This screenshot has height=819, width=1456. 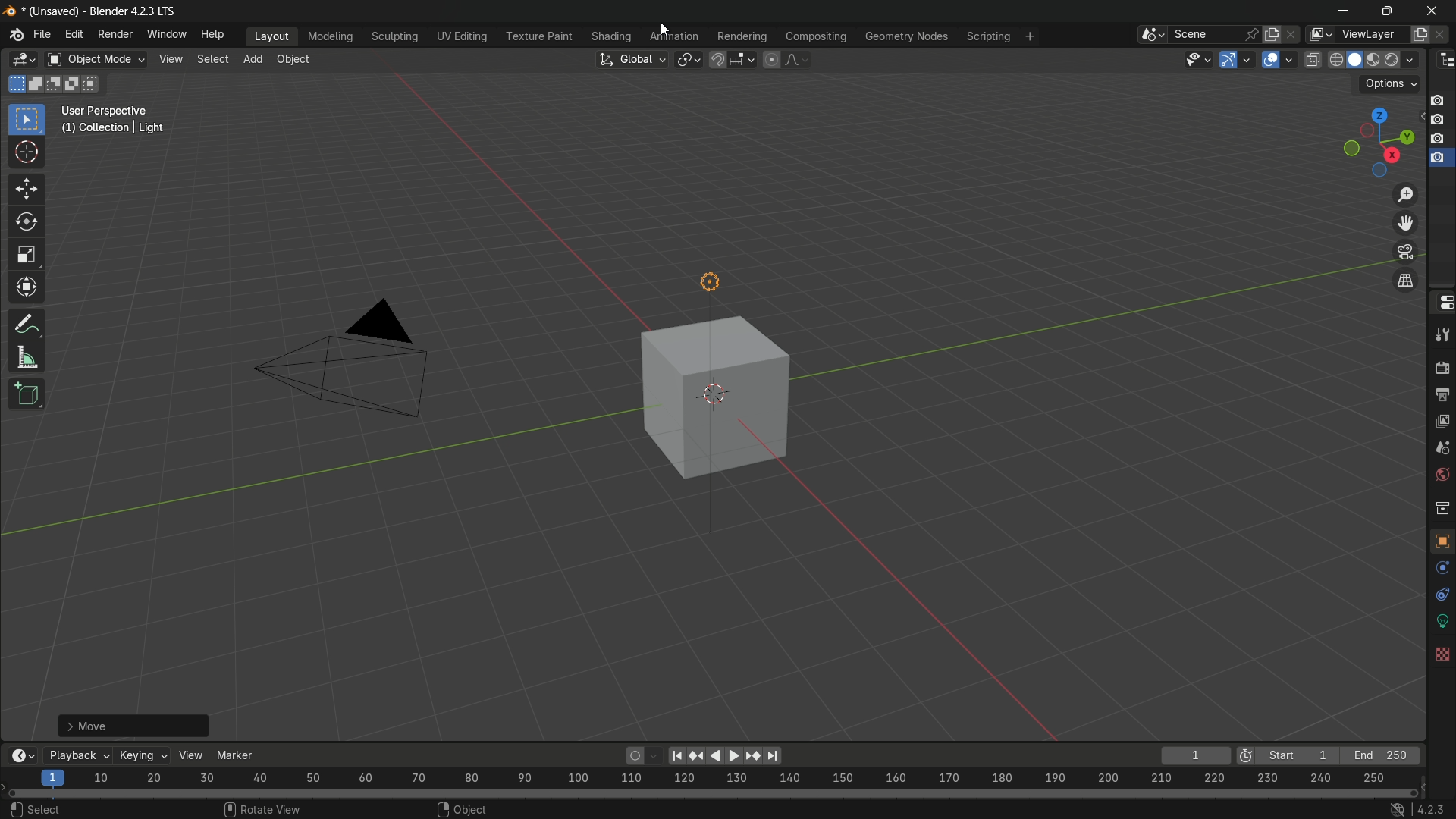 I want to click on texture paint menu, so click(x=542, y=36).